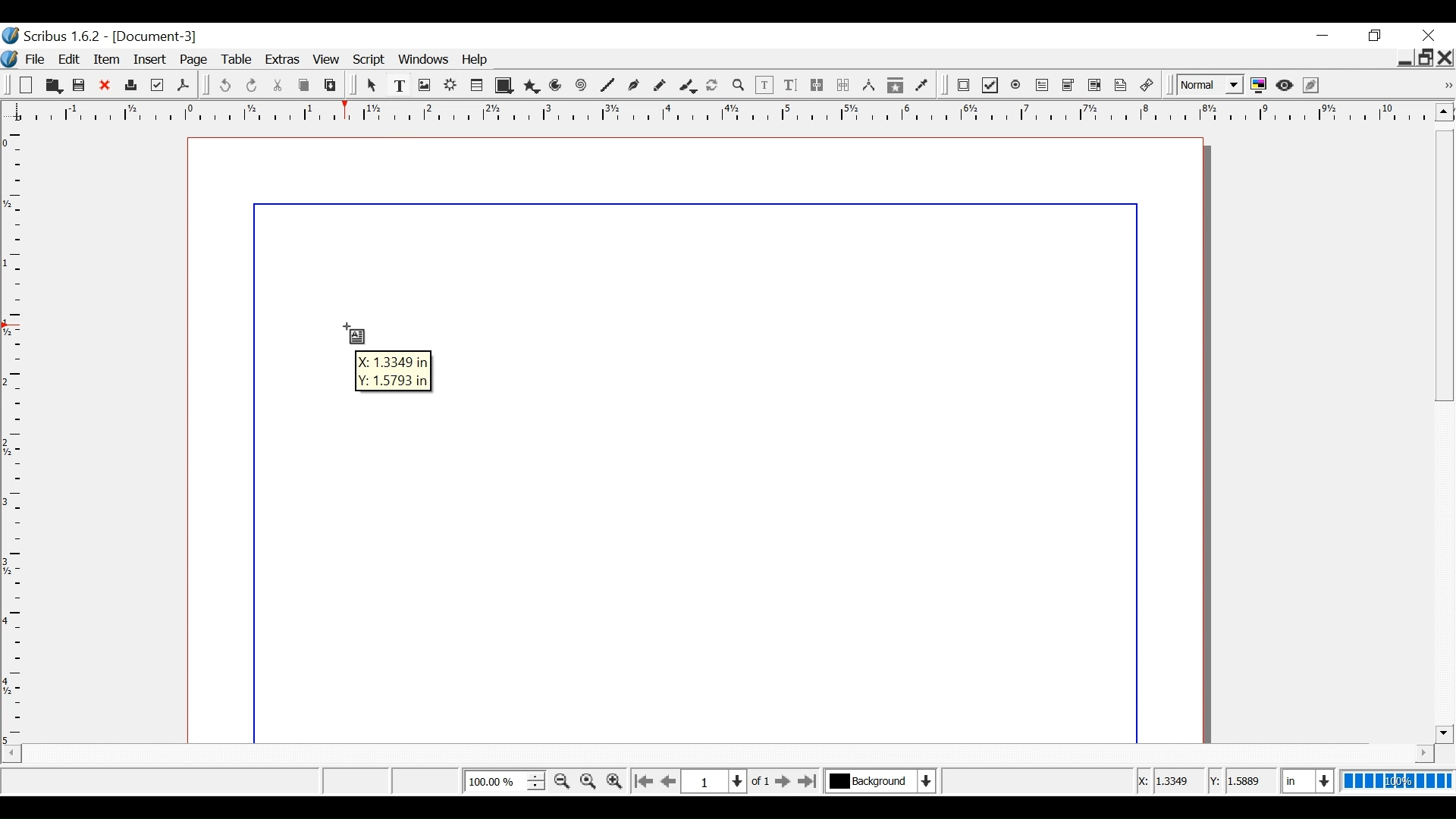  Describe the element at coordinates (347, 324) in the screenshot. I see `Cursor` at that location.